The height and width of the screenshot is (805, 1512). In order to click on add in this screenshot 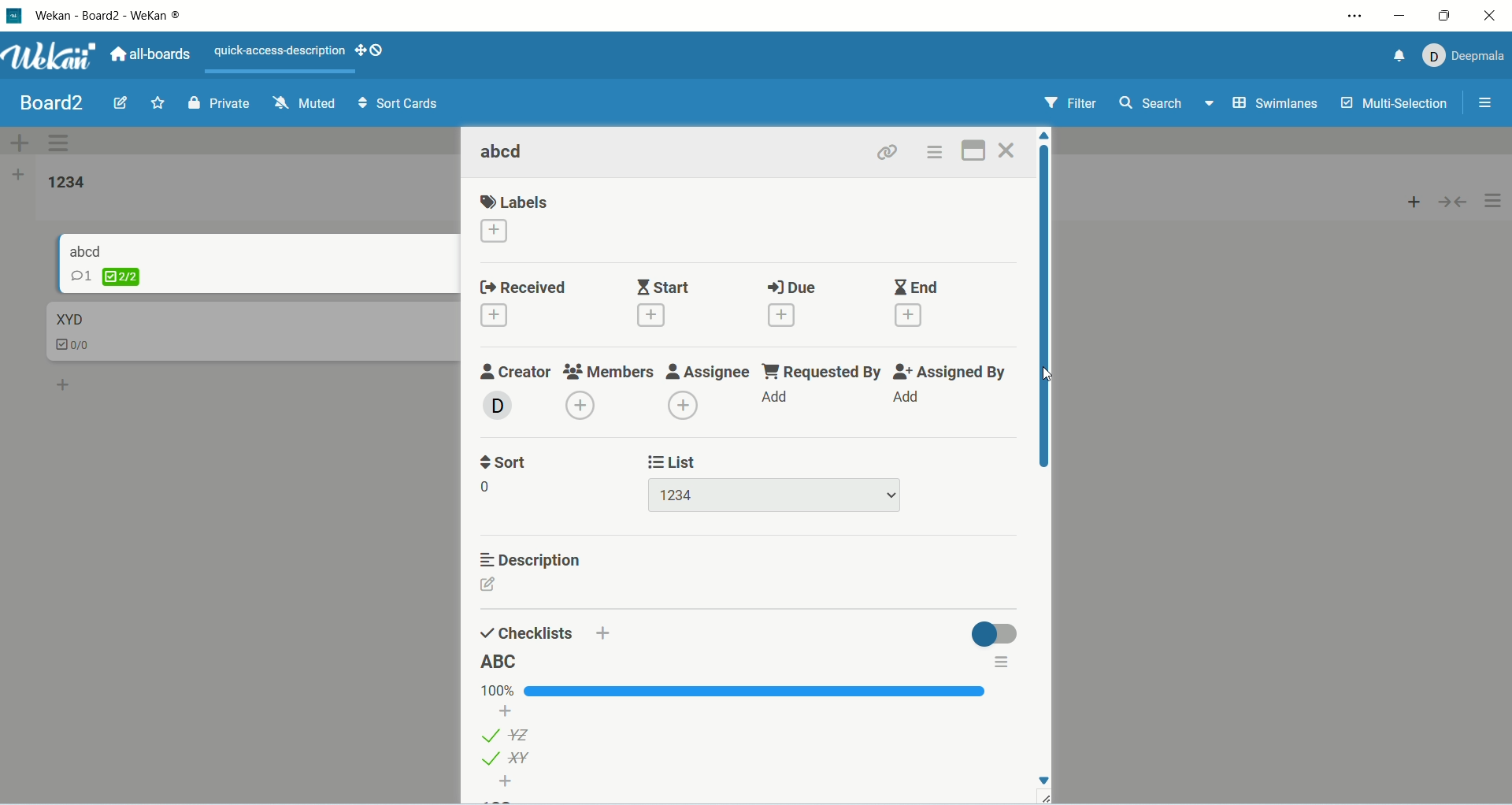, I will do `click(651, 315)`.